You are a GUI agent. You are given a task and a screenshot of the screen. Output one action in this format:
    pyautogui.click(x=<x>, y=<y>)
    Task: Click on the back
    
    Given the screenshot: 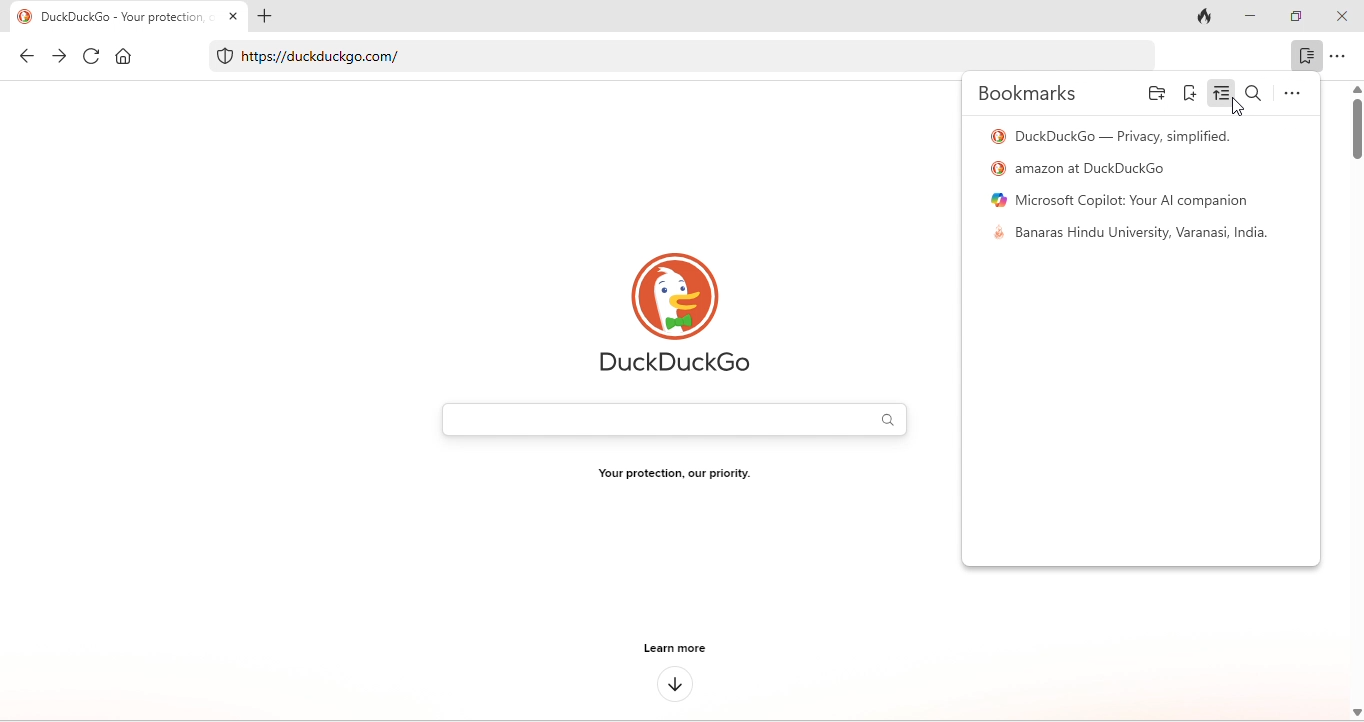 What is the action you would take?
    pyautogui.click(x=26, y=55)
    